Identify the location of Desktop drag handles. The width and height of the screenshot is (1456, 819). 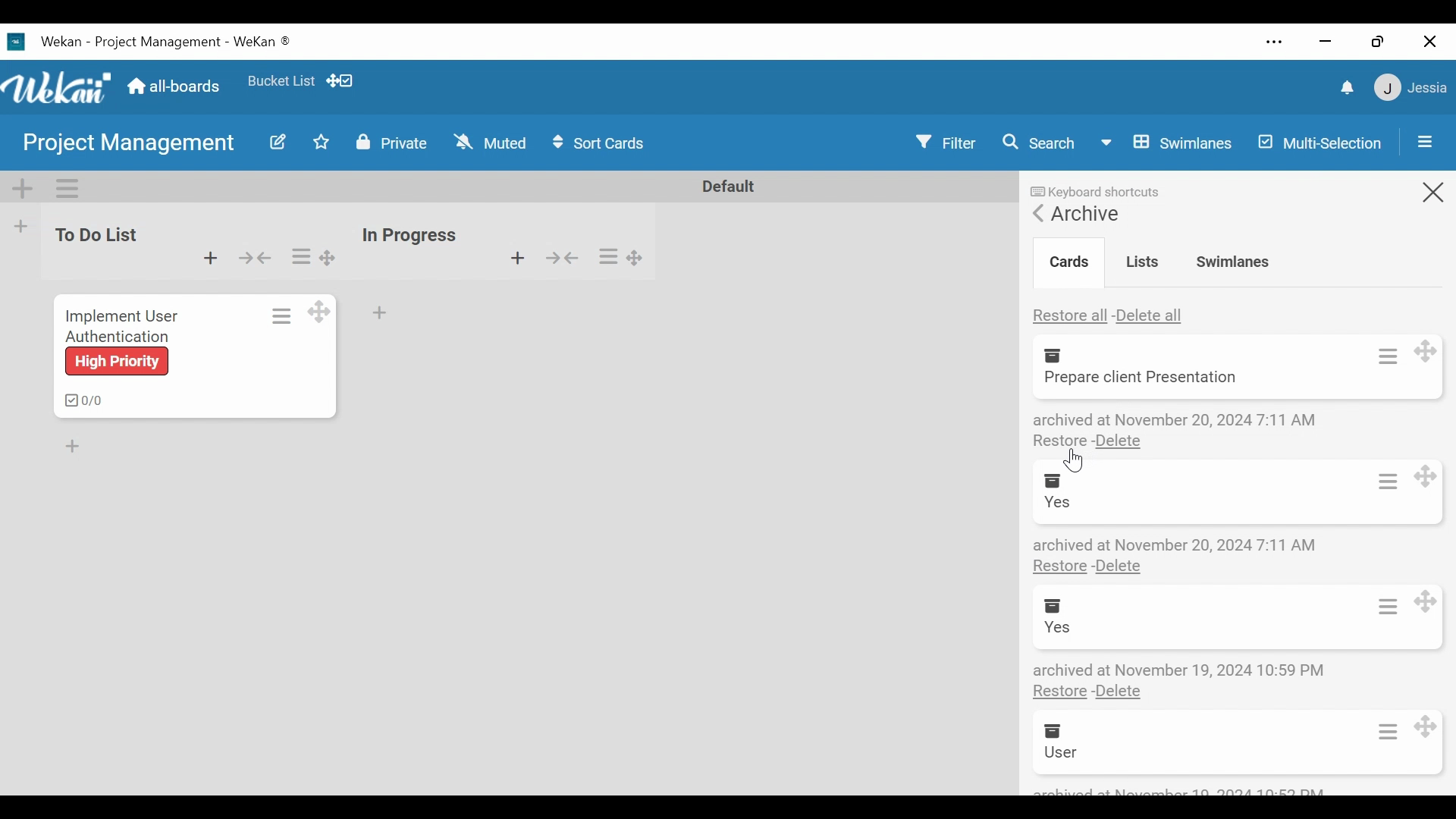
(635, 259).